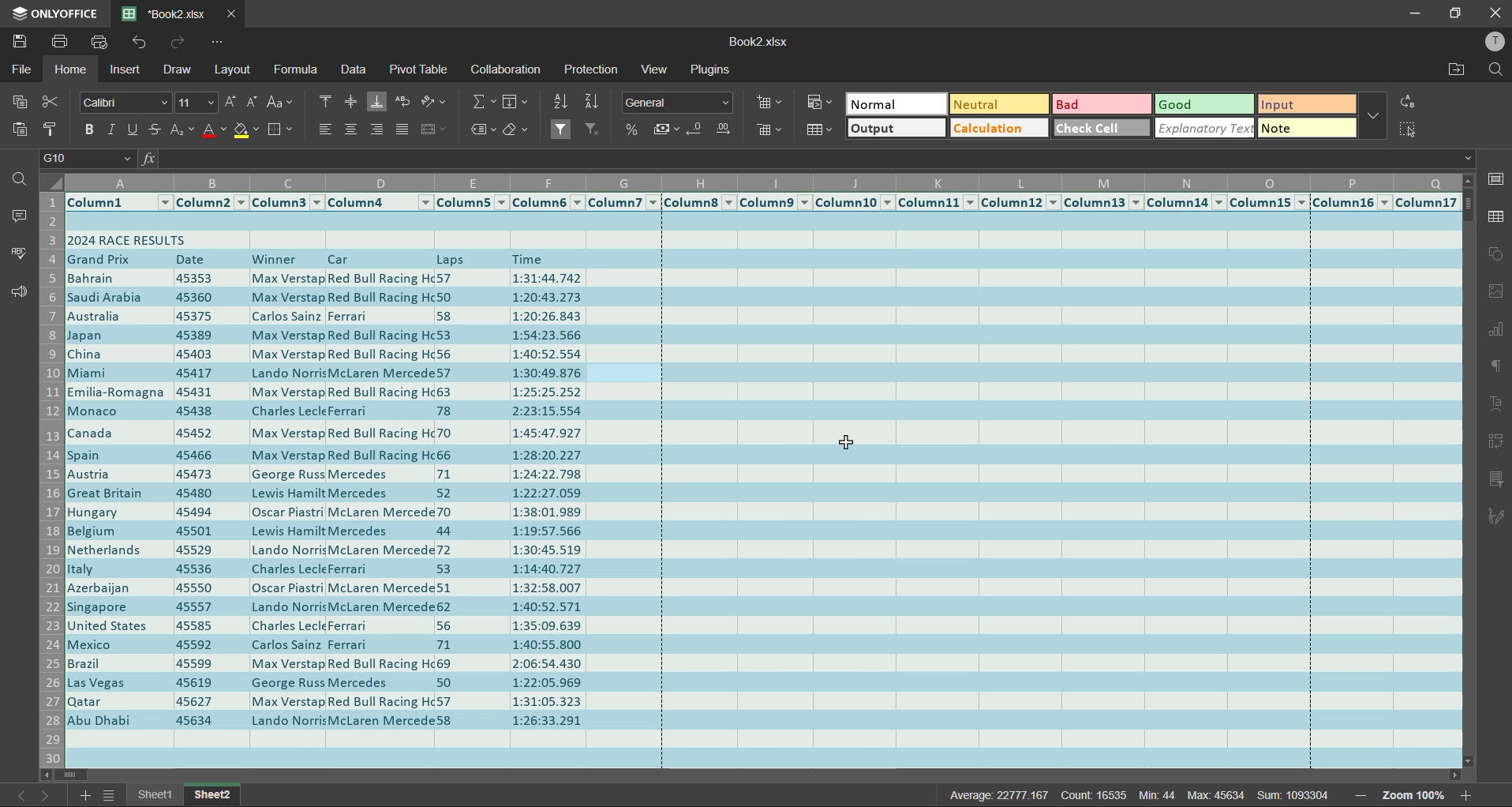 Image resolution: width=1512 pixels, height=807 pixels. Describe the element at coordinates (178, 72) in the screenshot. I see `draw` at that location.